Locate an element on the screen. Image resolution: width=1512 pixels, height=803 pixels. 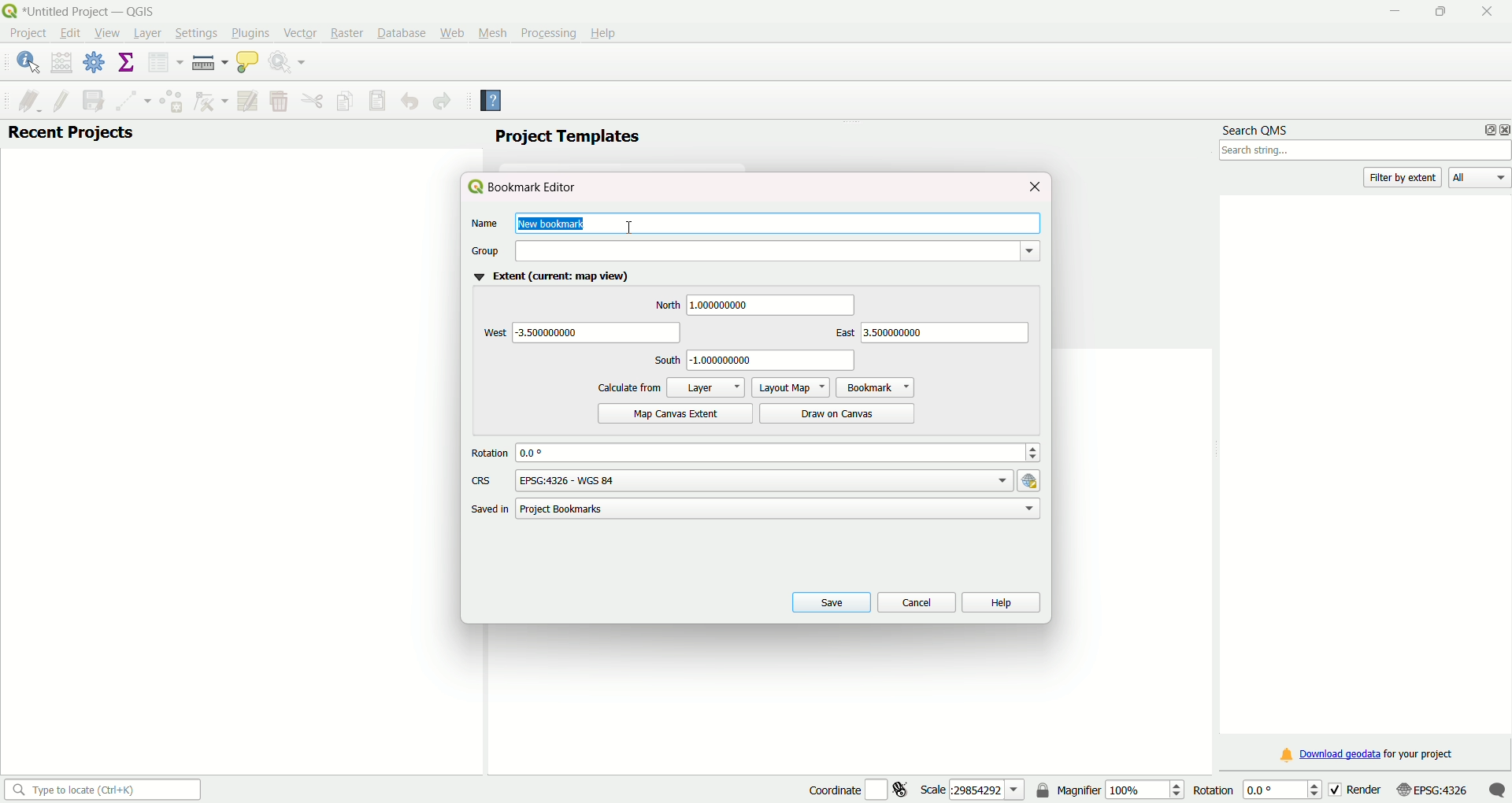
Project is located at coordinates (28, 35).